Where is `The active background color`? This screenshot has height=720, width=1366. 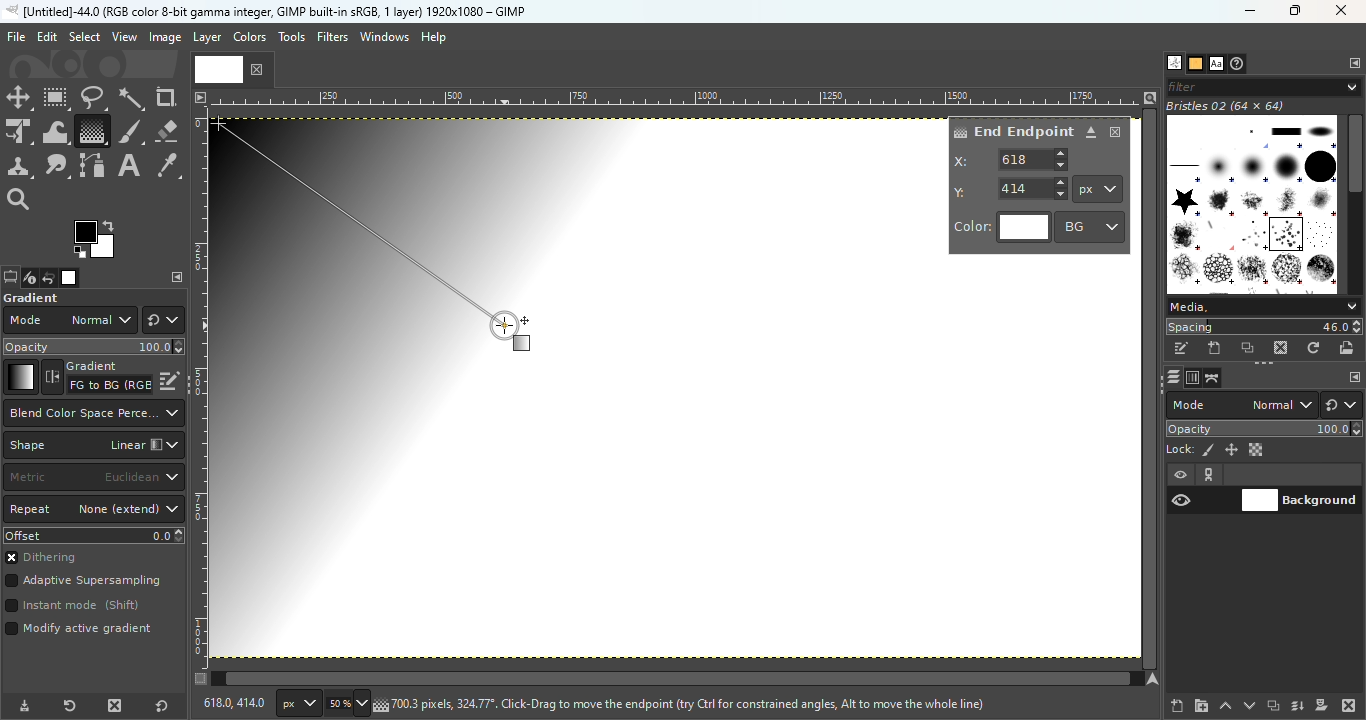 The active background color is located at coordinates (98, 240).